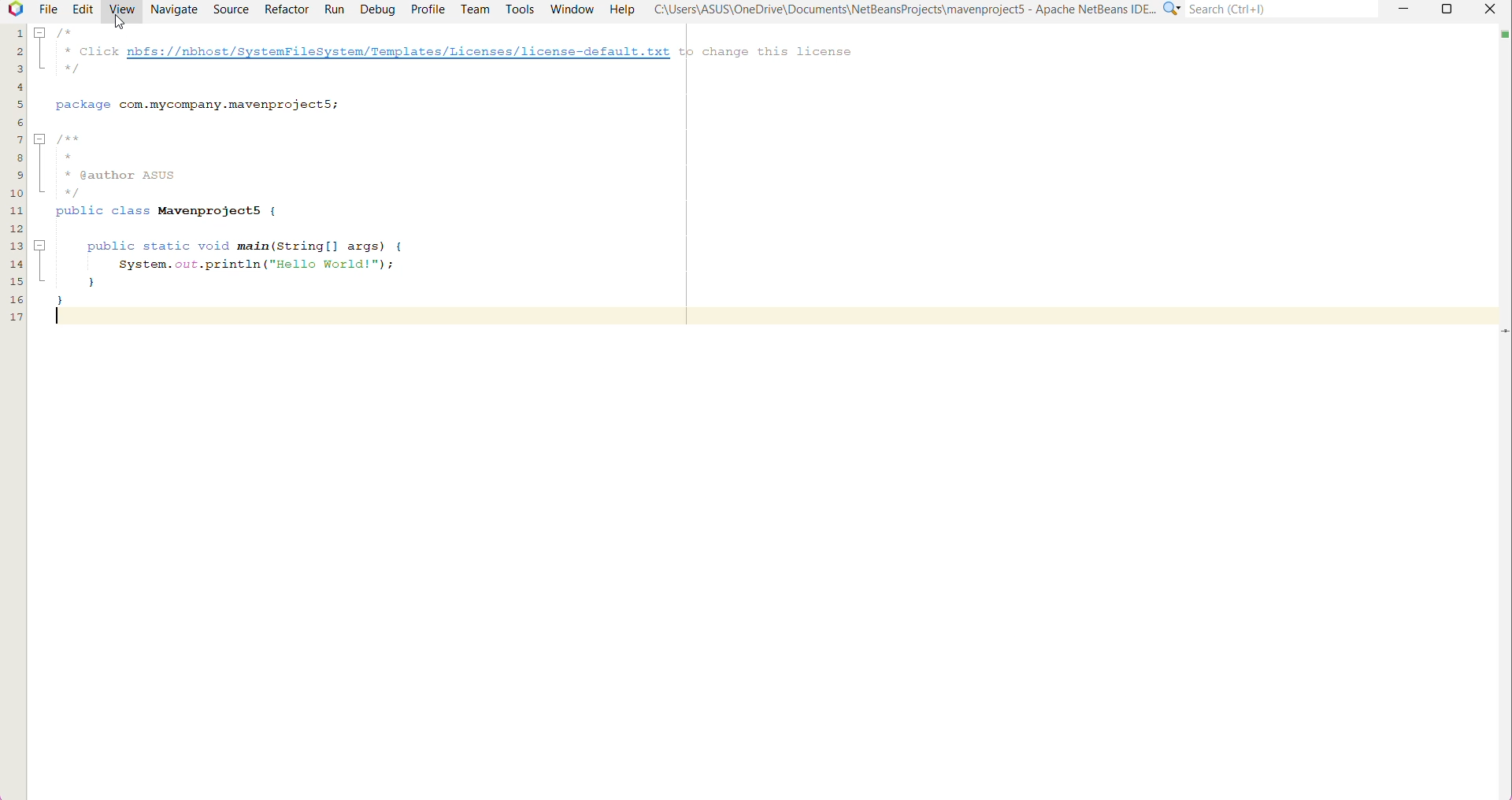 This screenshot has width=1512, height=800. I want to click on Tools, so click(520, 9).